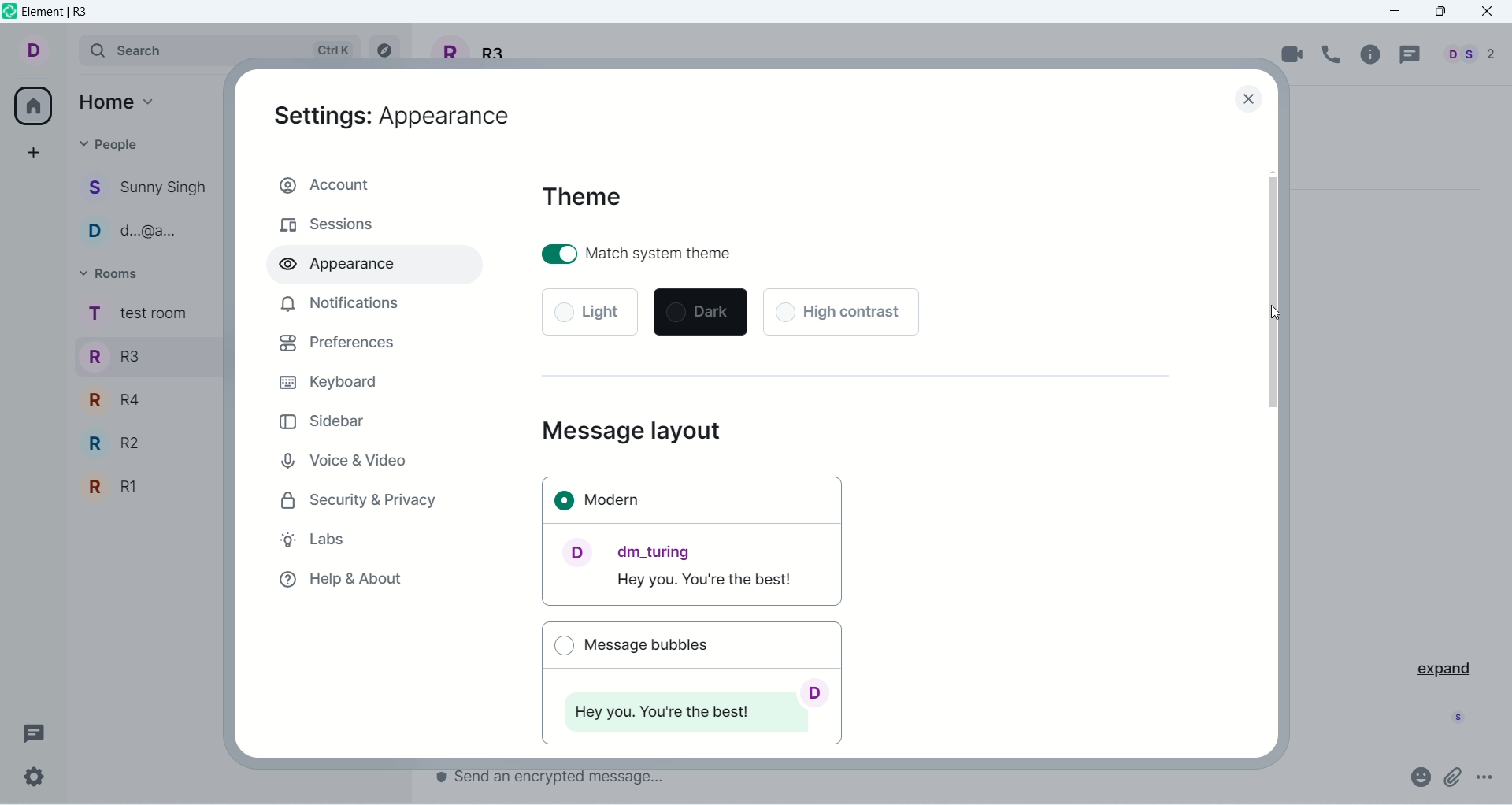 This screenshot has height=805, width=1512. I want to click on account, so click(374, 183).